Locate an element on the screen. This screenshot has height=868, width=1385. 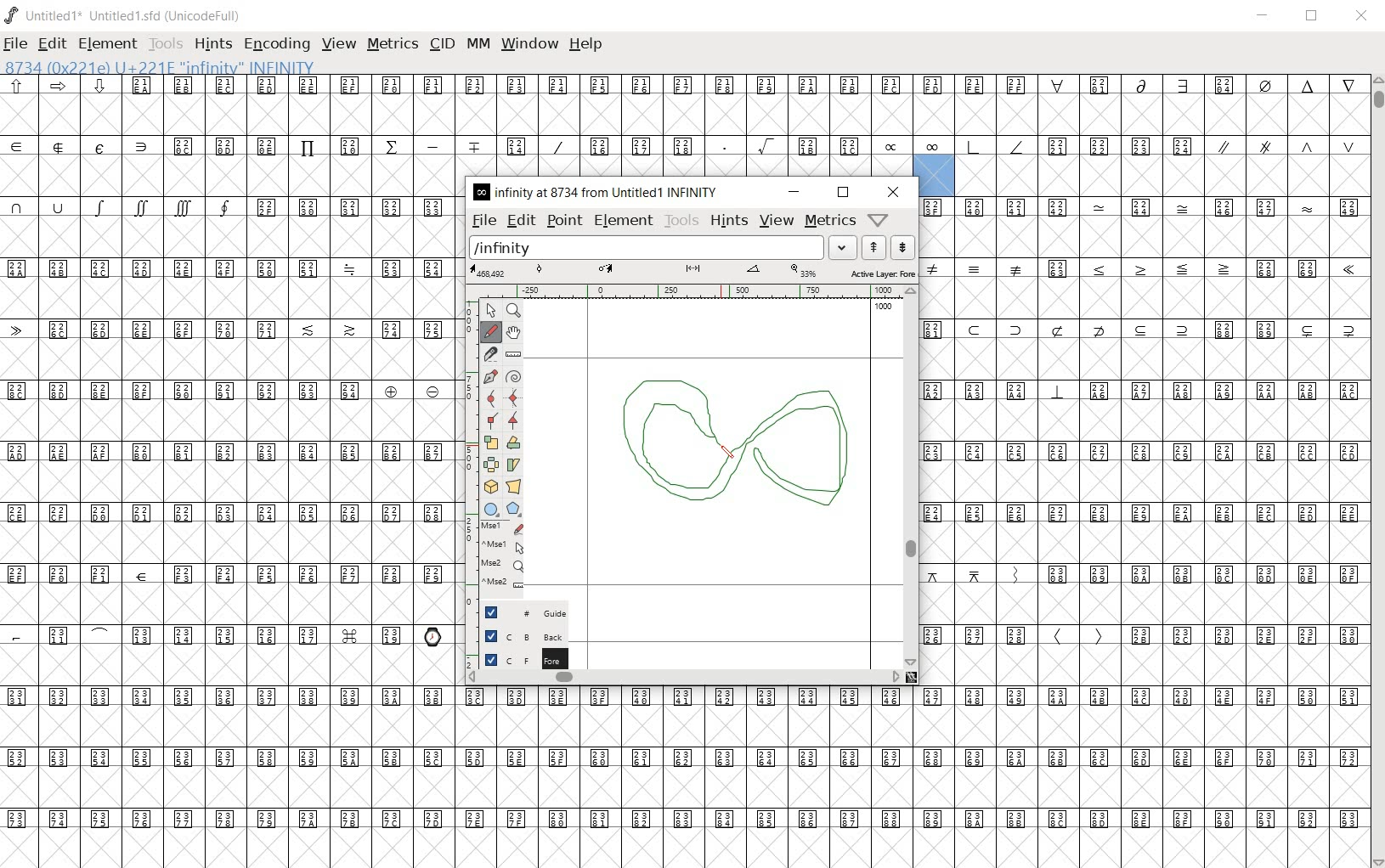
empty glyph slots is located at coordinates (1162, 176).